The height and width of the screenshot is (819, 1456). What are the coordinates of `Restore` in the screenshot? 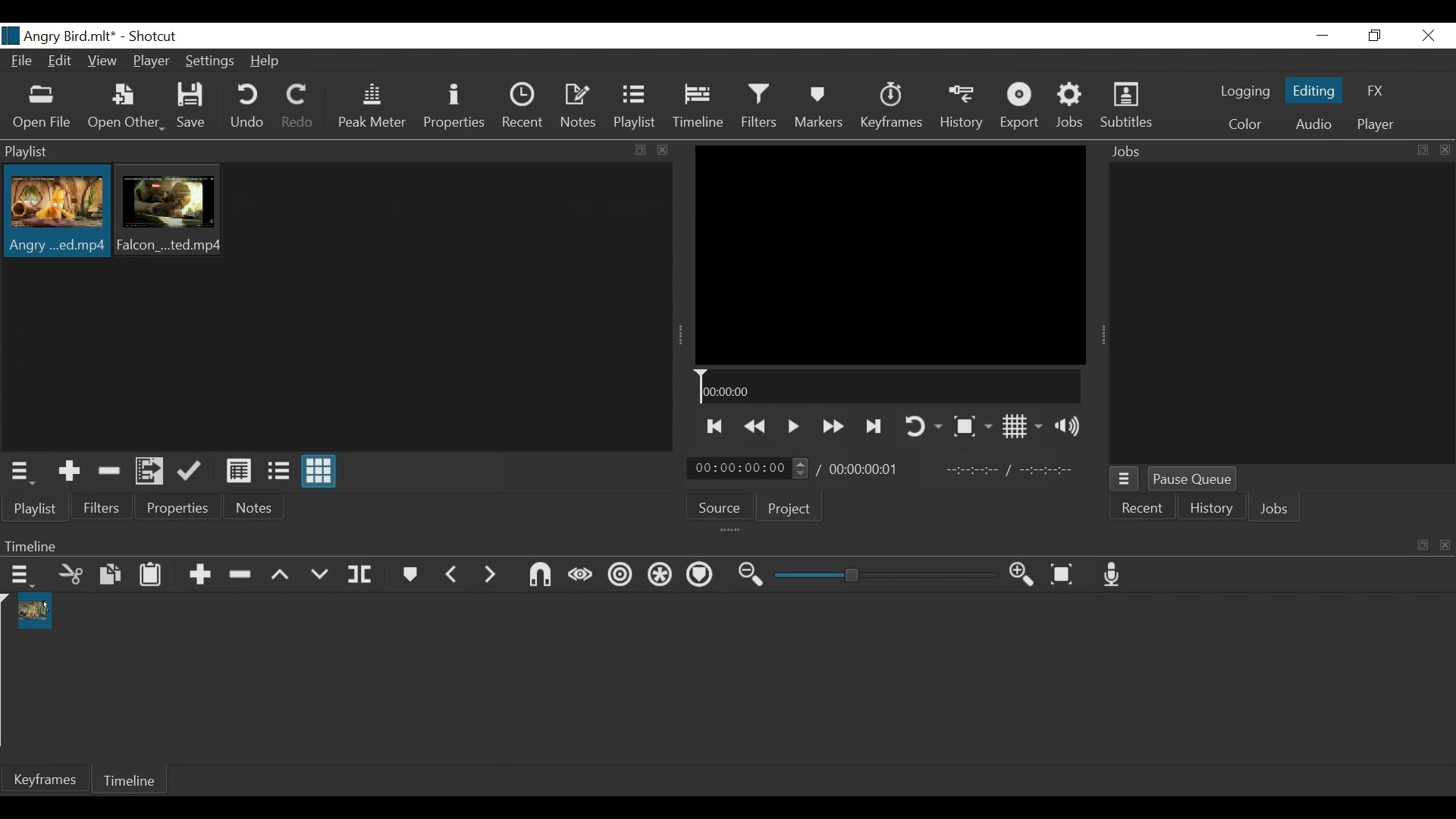 It's located at (1372, 36).